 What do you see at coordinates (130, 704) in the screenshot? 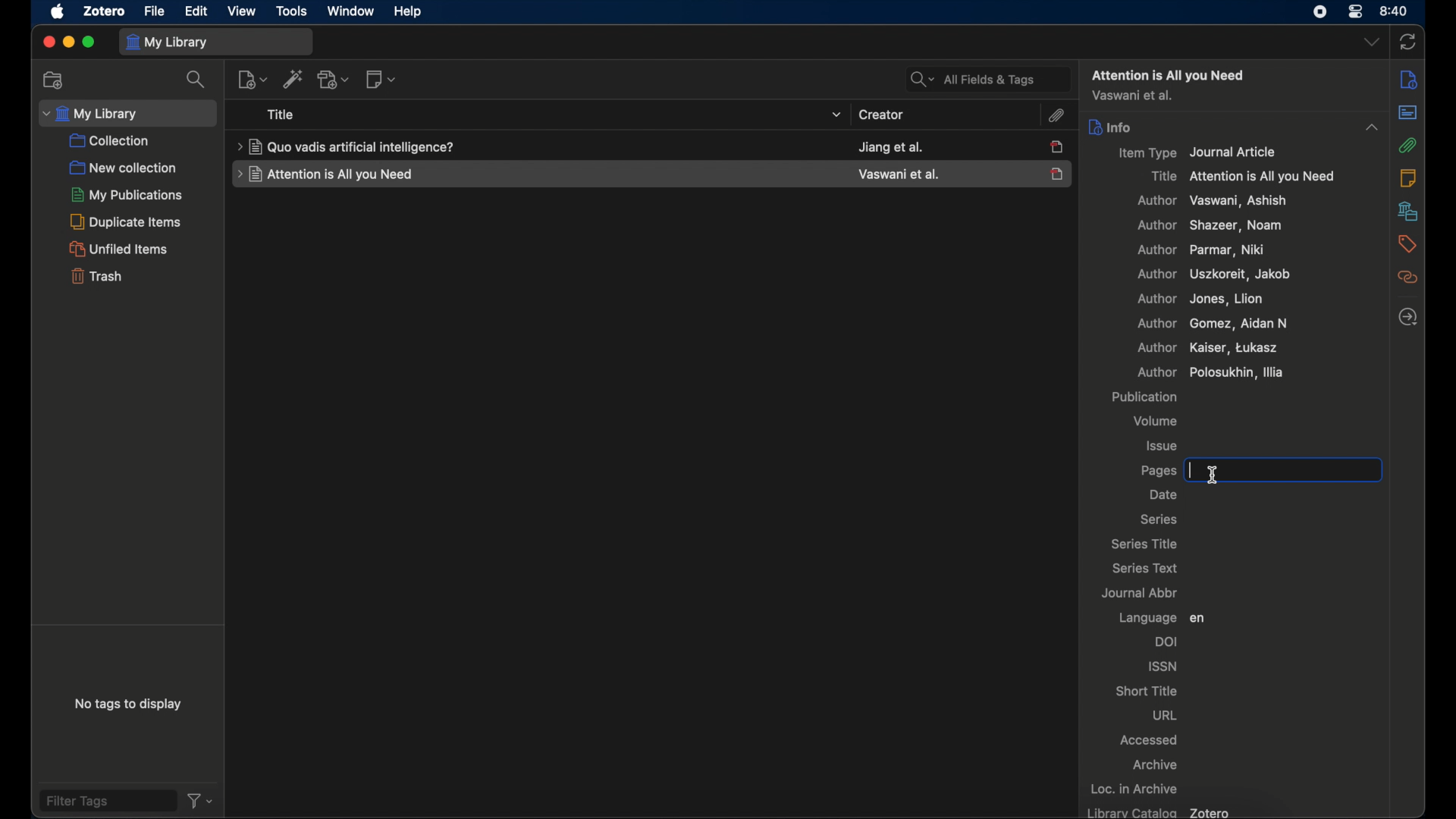
I see `no tags to display` at bounding box center [130, 704].